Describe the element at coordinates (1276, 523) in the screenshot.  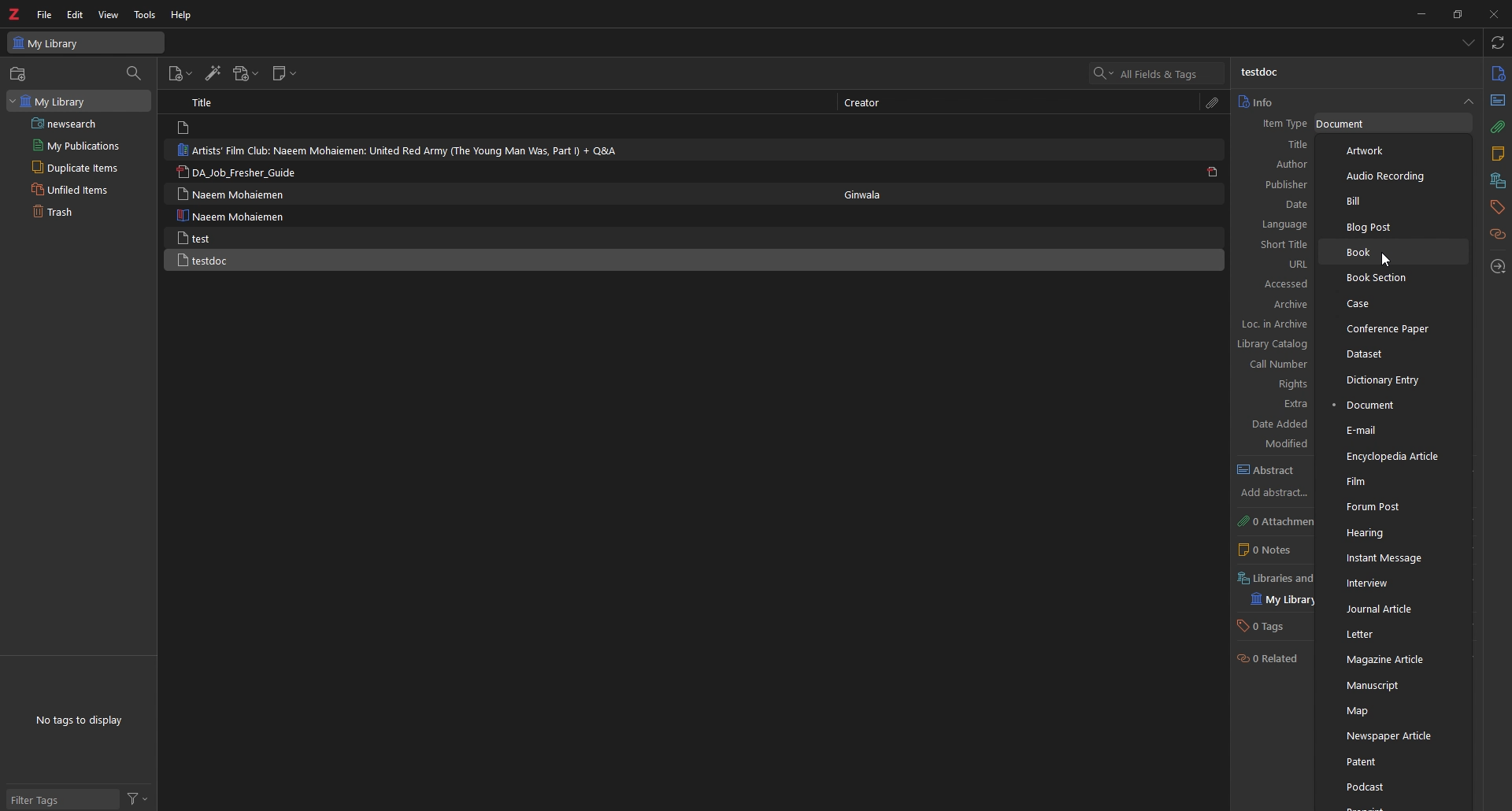
I see `0 Attachments` at that location.